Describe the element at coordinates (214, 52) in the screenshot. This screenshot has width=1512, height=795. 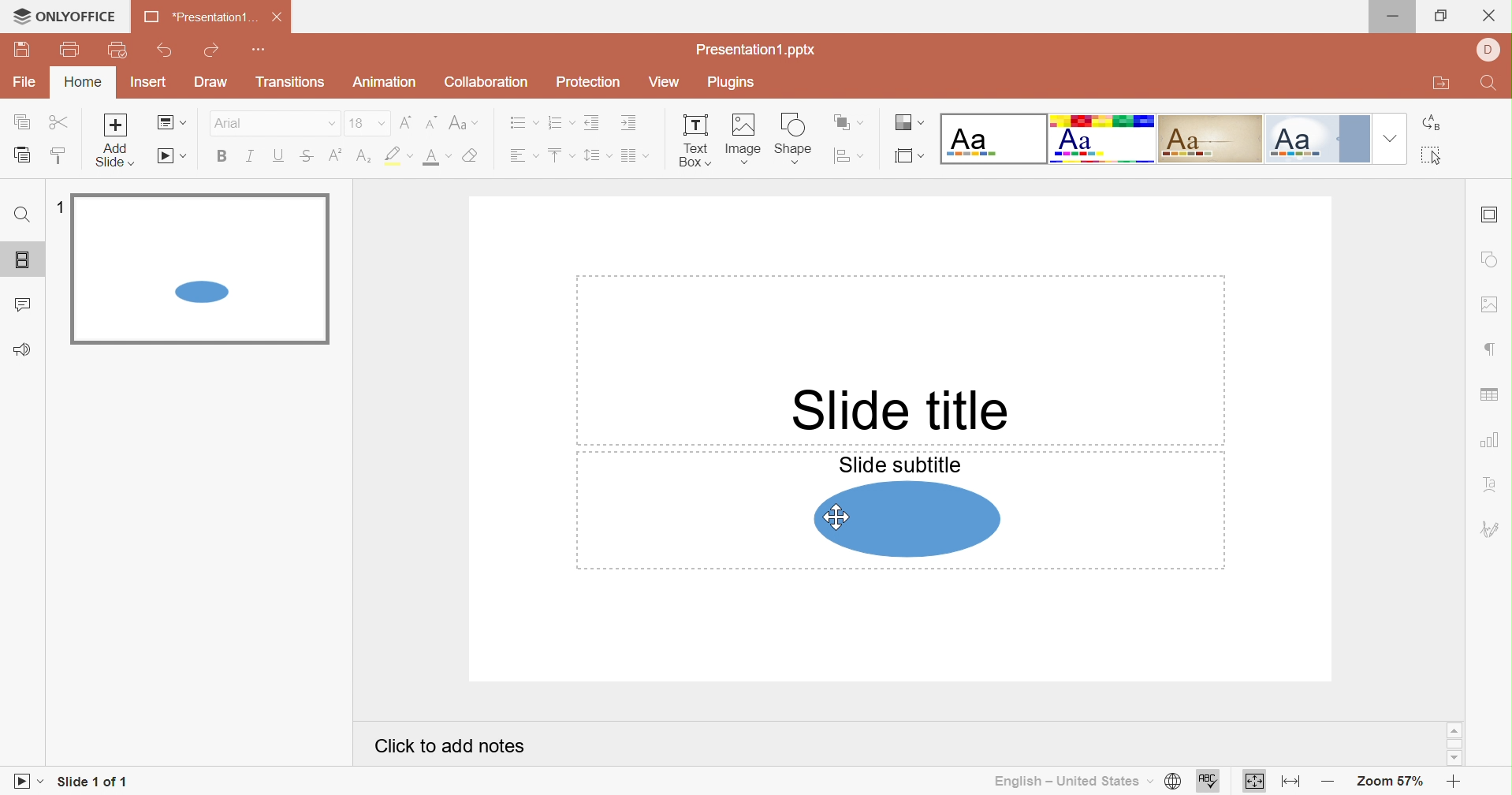
I see `Redo` at that location.